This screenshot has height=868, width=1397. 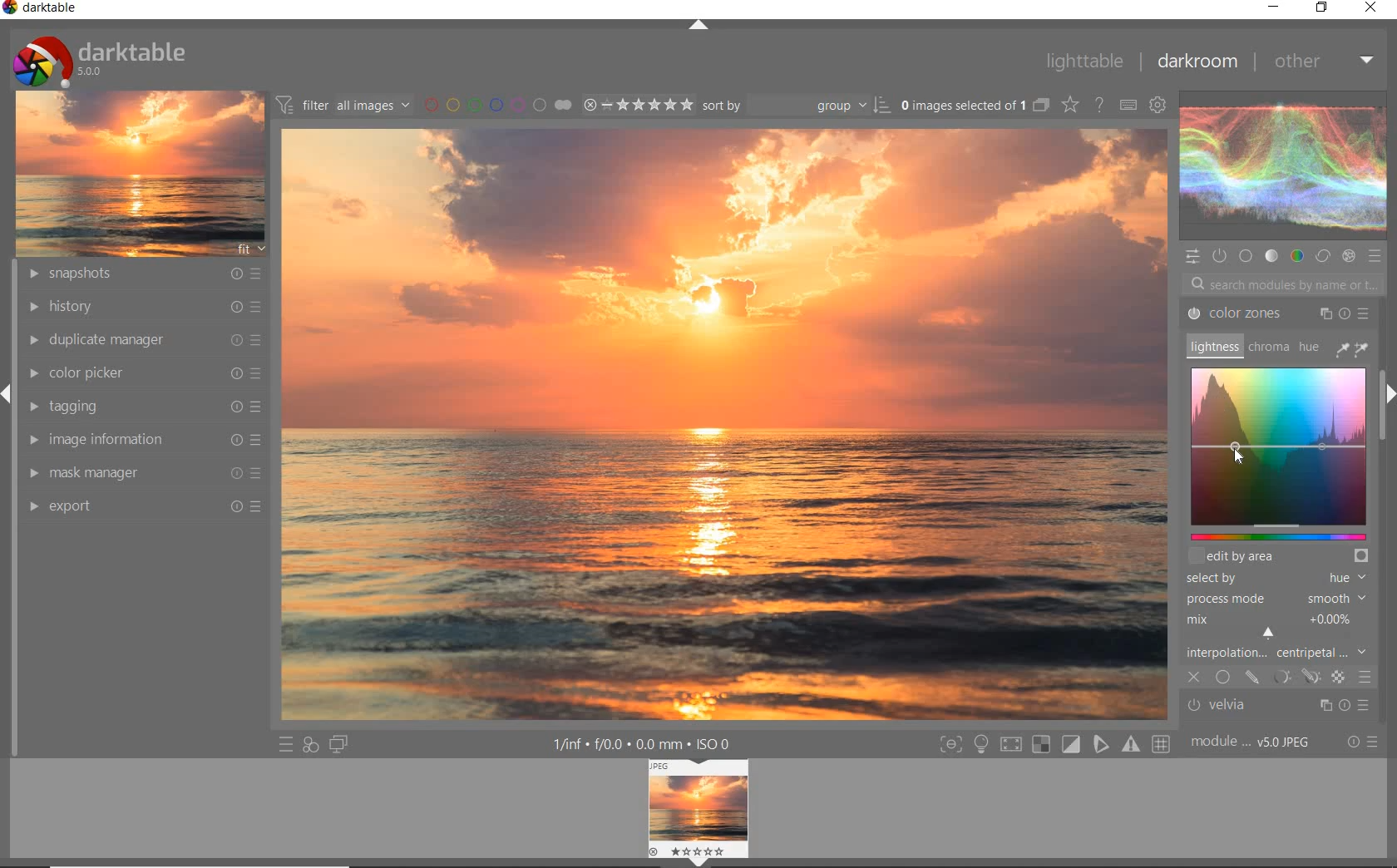 What do you see at coordinates (146, 505) in the screenshot?
I see `EXPORT` at bounding box center [146, 505].